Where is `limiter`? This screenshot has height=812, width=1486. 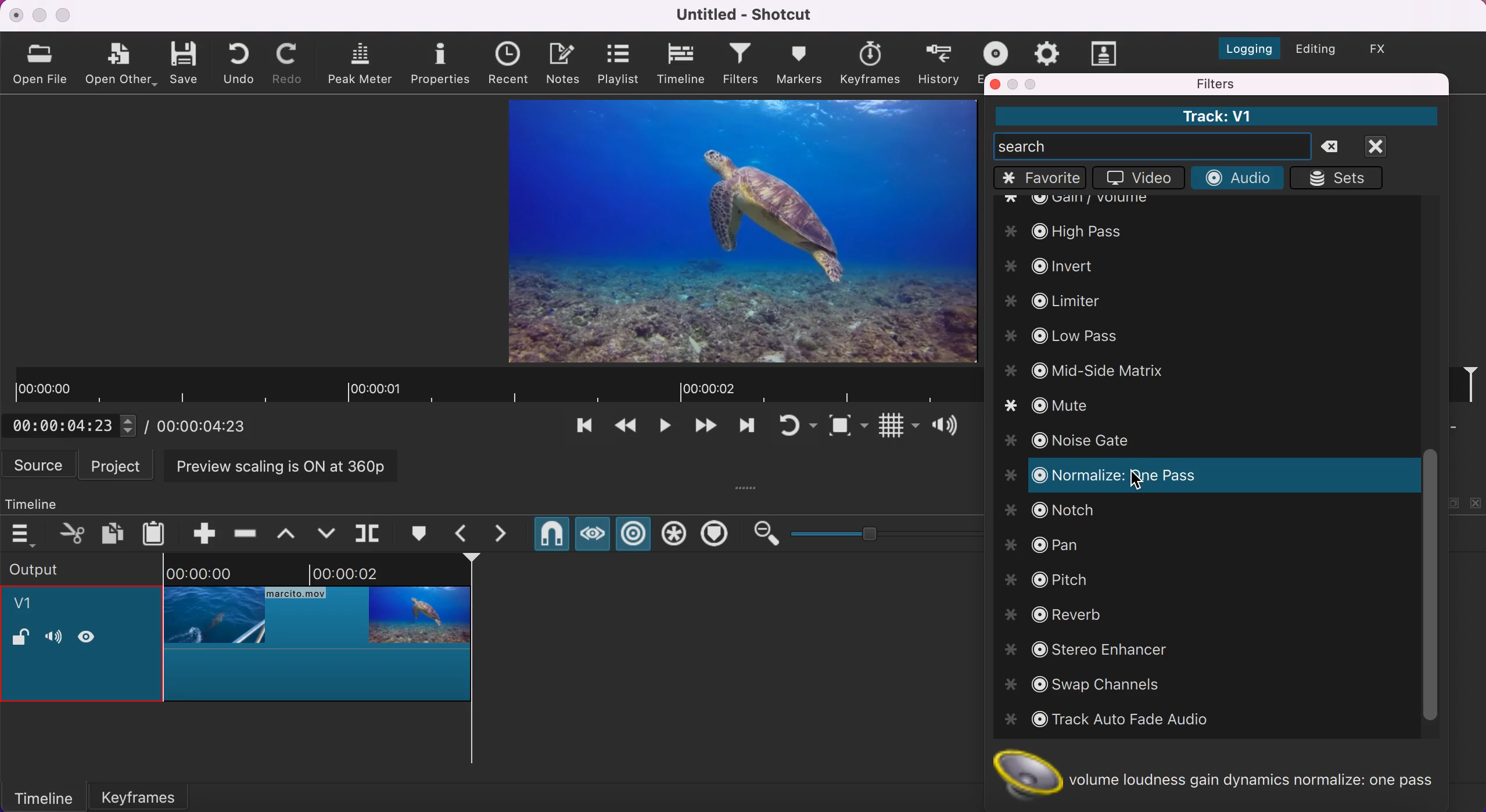 limiter is located at coordinates (1072, 302).